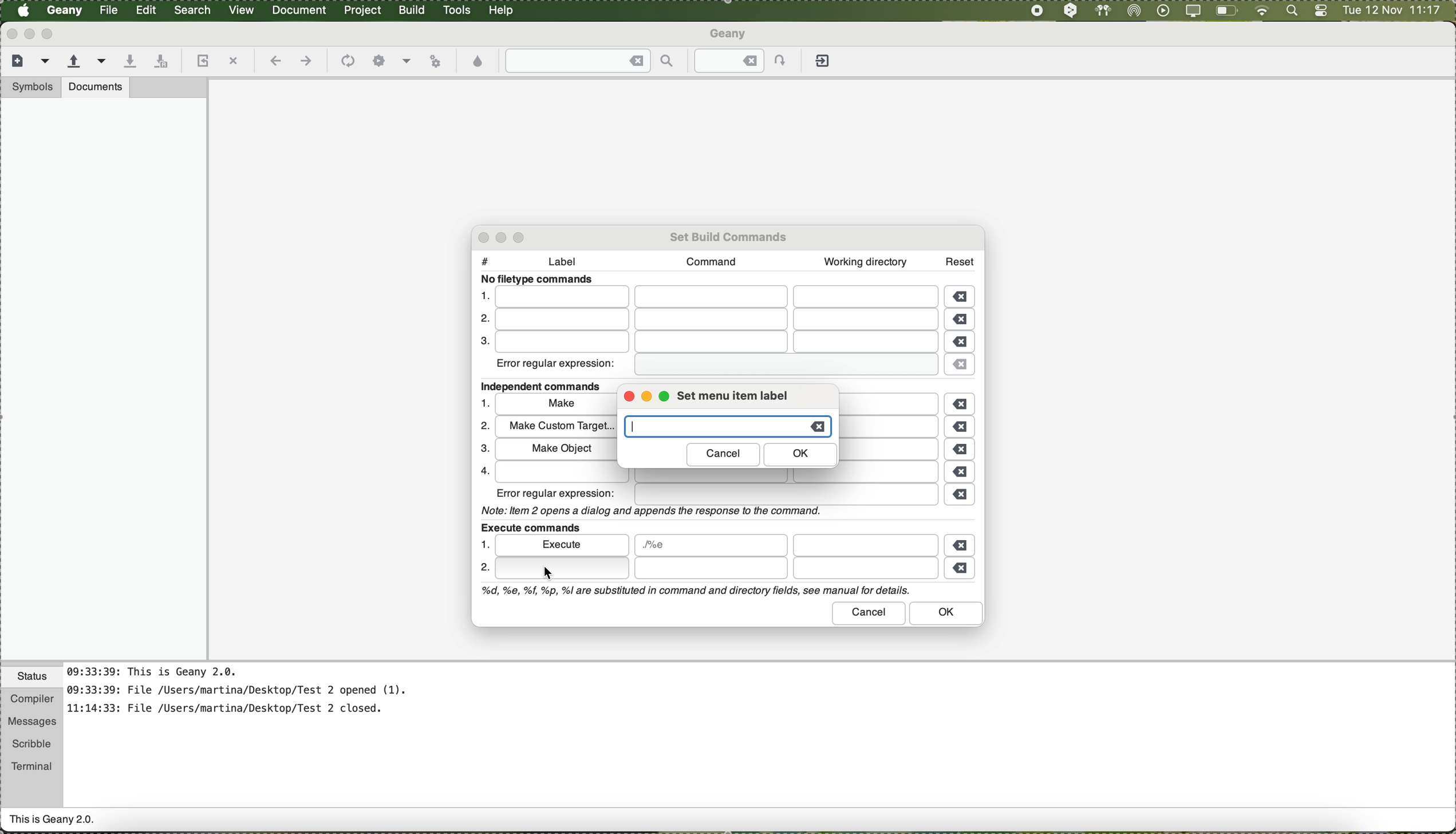  I want to click on OK button, so click(947, 614).